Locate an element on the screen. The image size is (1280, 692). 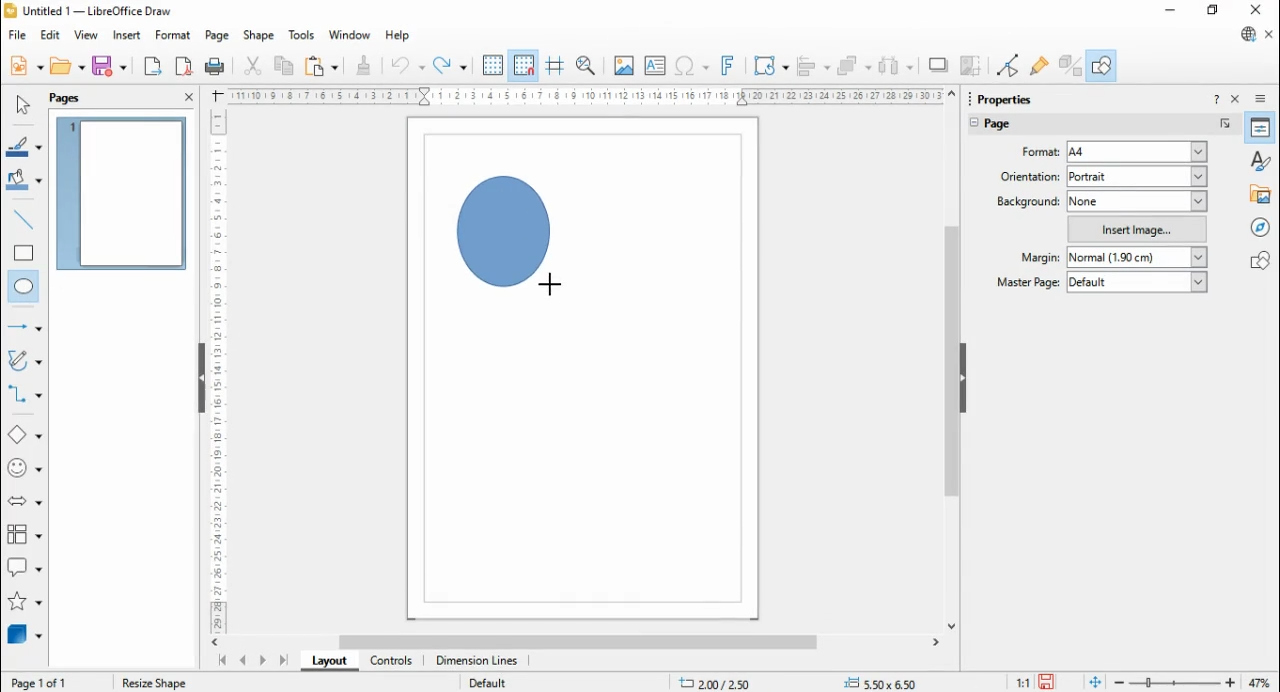
view is located at coordinates (86, 35).